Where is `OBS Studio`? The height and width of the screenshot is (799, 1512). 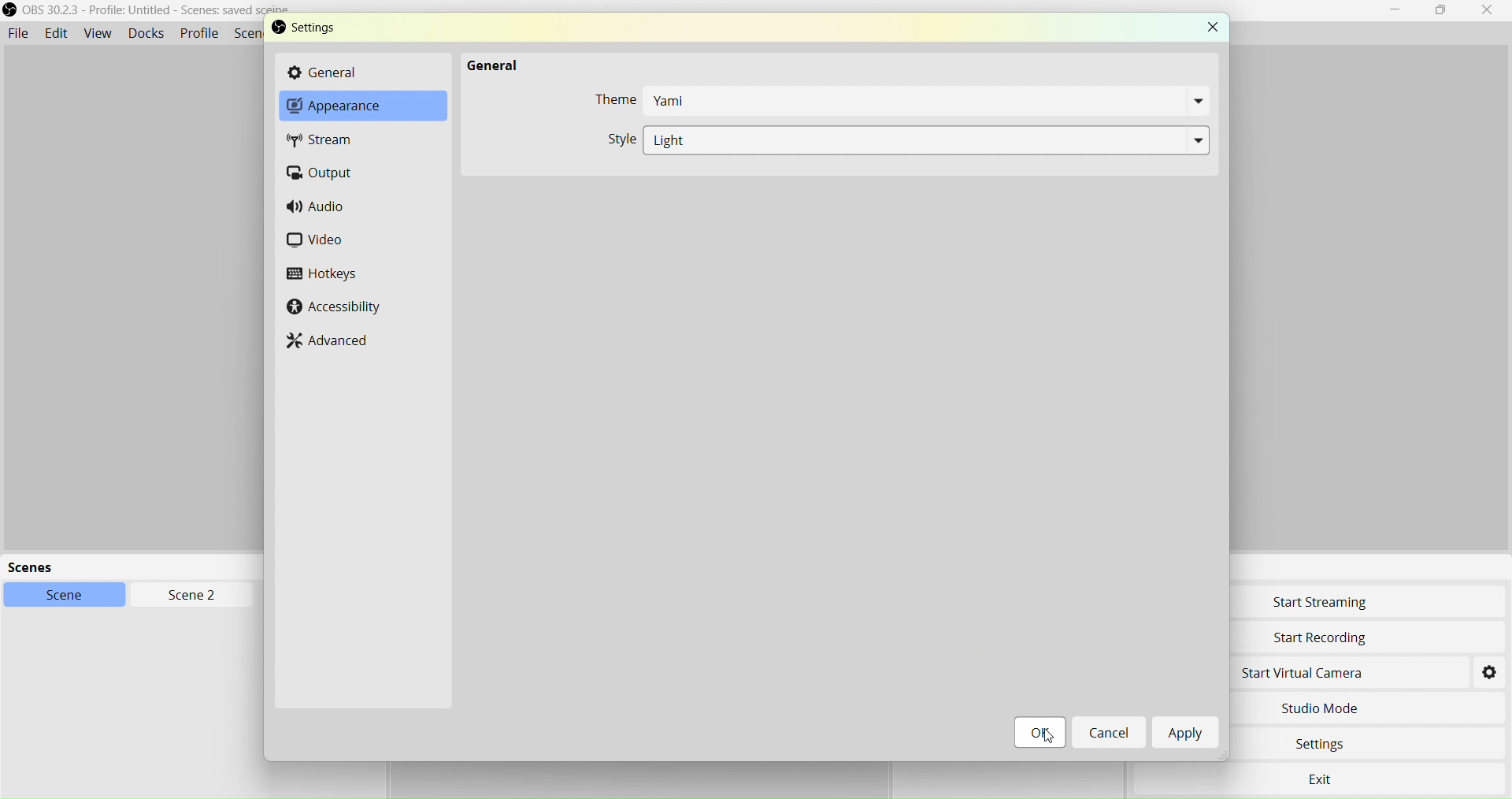
OBS Studio is located at coordinates (160, 13).